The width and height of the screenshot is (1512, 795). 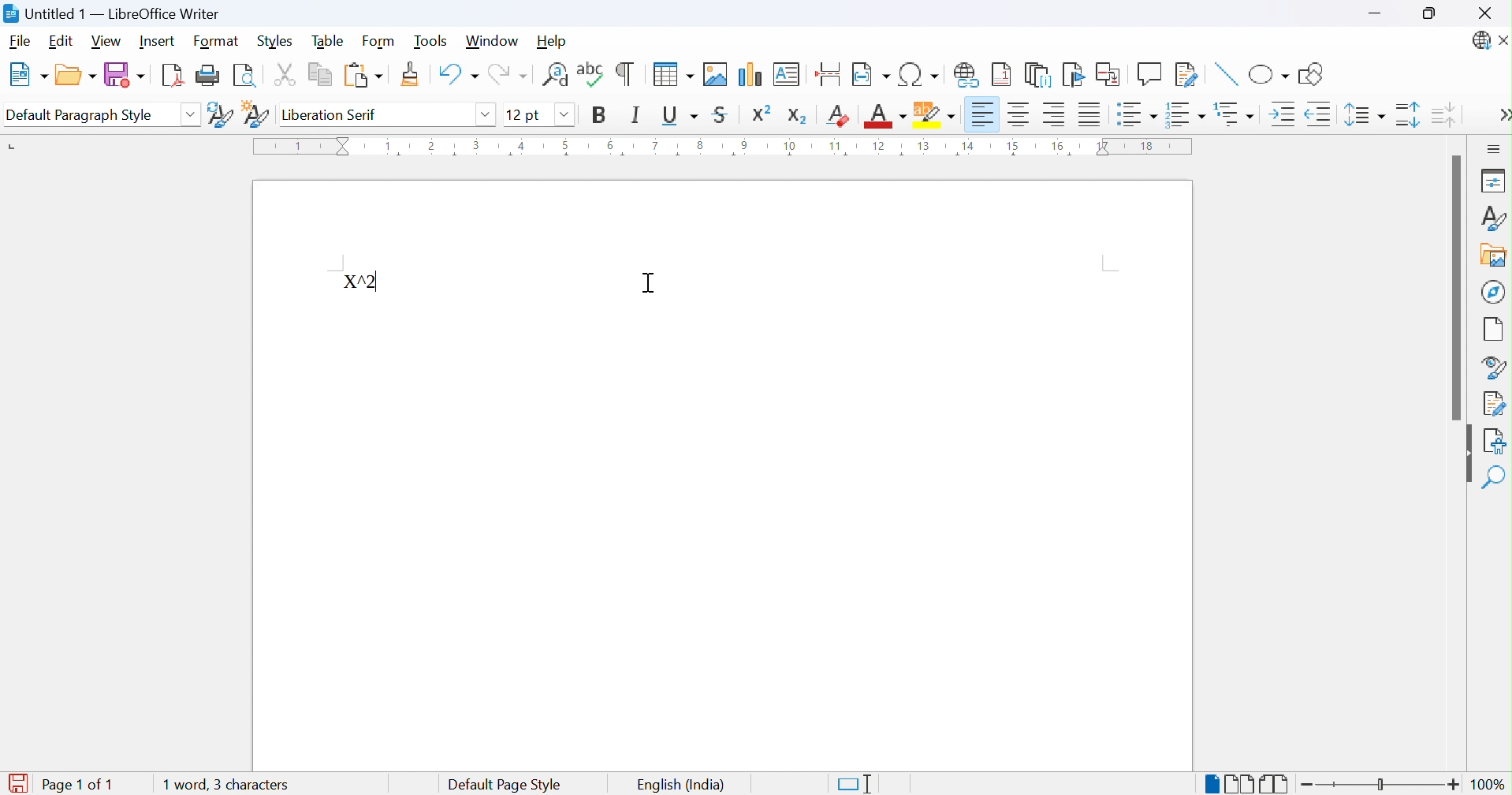 What do you see at coordinates (126, 75) in the screenshot?
I see `Save` at bounding box center [126, 75].